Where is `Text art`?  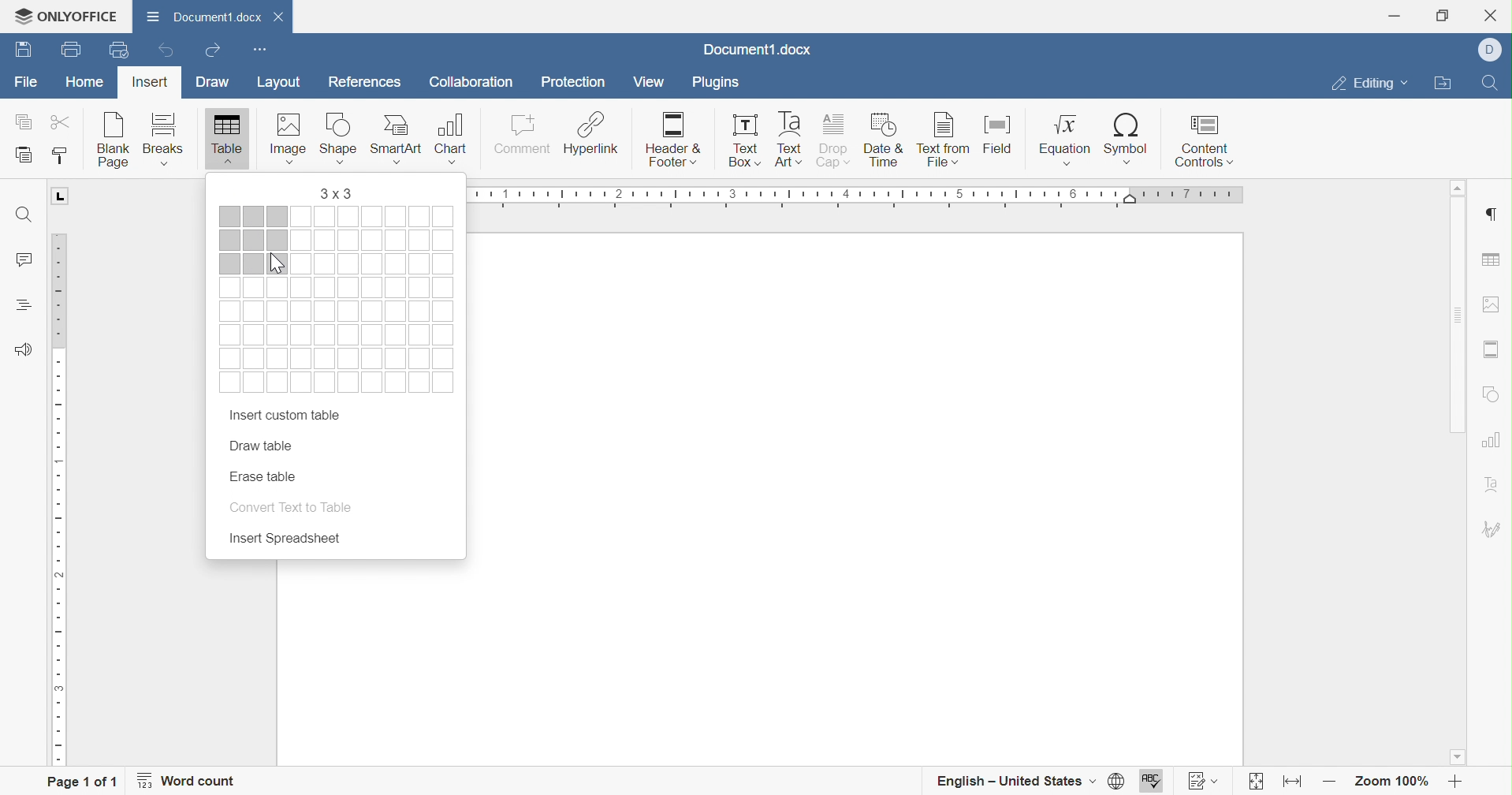 Text art is located at coordinates (792, 140).